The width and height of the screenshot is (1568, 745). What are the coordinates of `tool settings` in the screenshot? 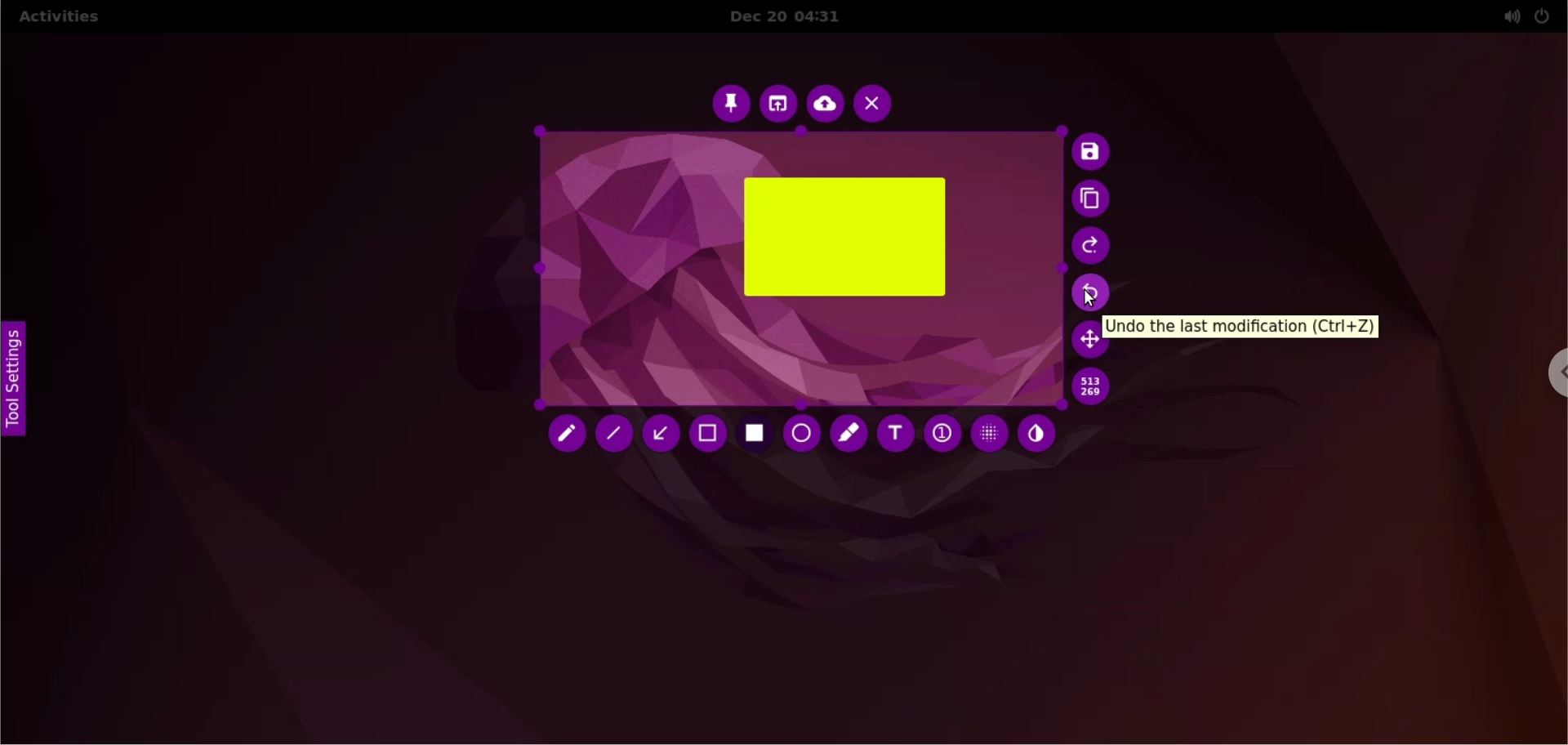 It's located at (16, 386).